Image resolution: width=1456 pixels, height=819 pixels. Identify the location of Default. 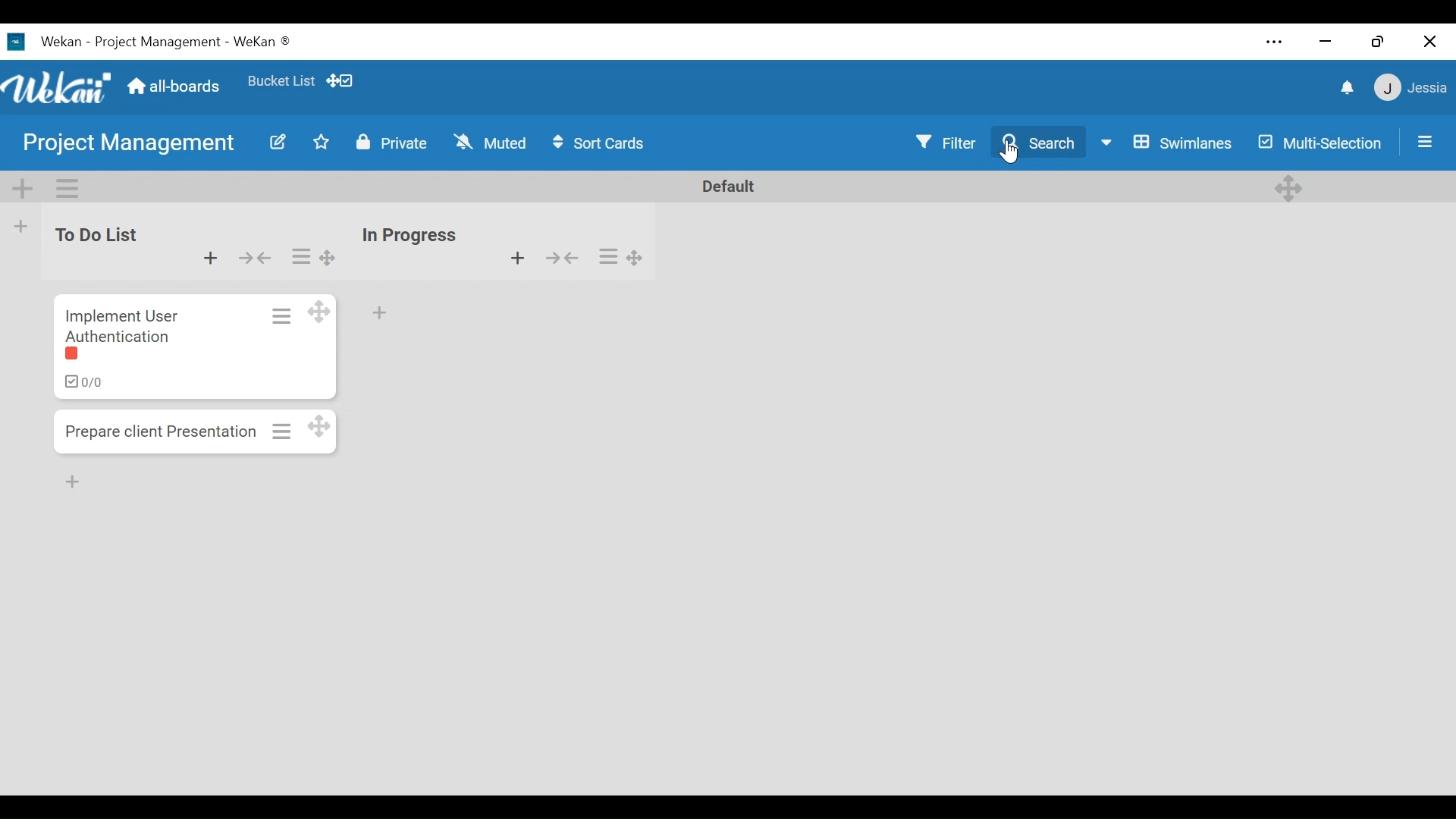
(735, 186).